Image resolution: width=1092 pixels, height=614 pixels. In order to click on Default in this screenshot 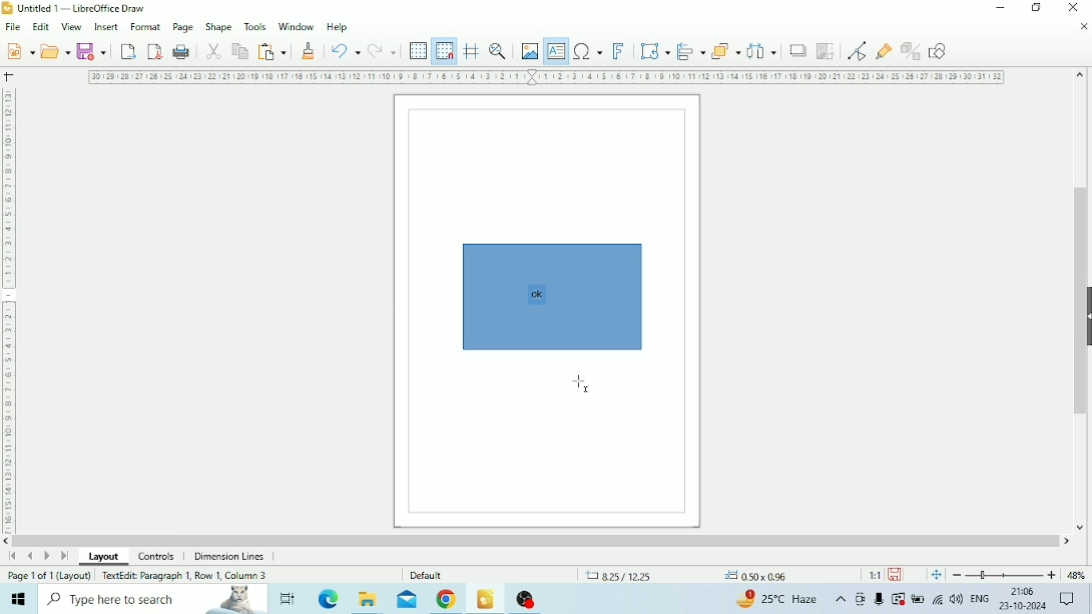, I will do `click(428, 574)`.